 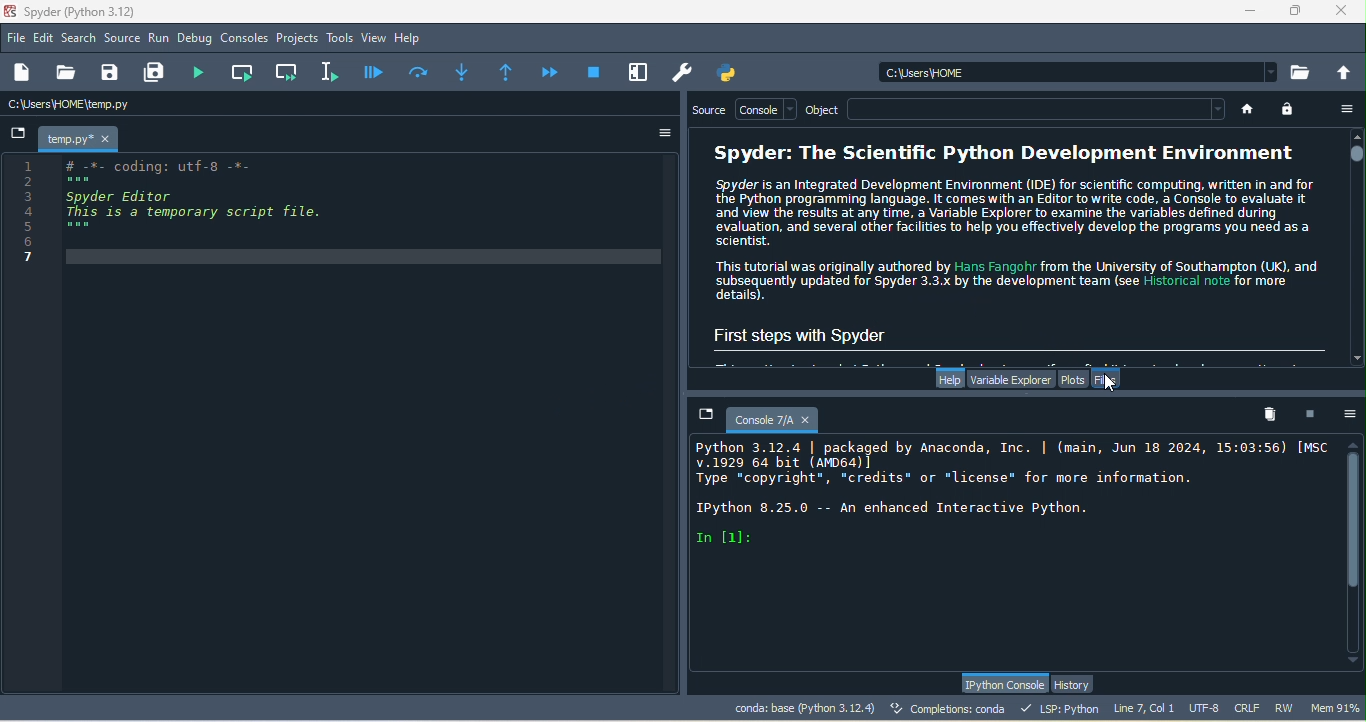 What do you see at coordinates (19, 135) in the screenshot?
I see `browse tabs` at bounding box center [19, 135].